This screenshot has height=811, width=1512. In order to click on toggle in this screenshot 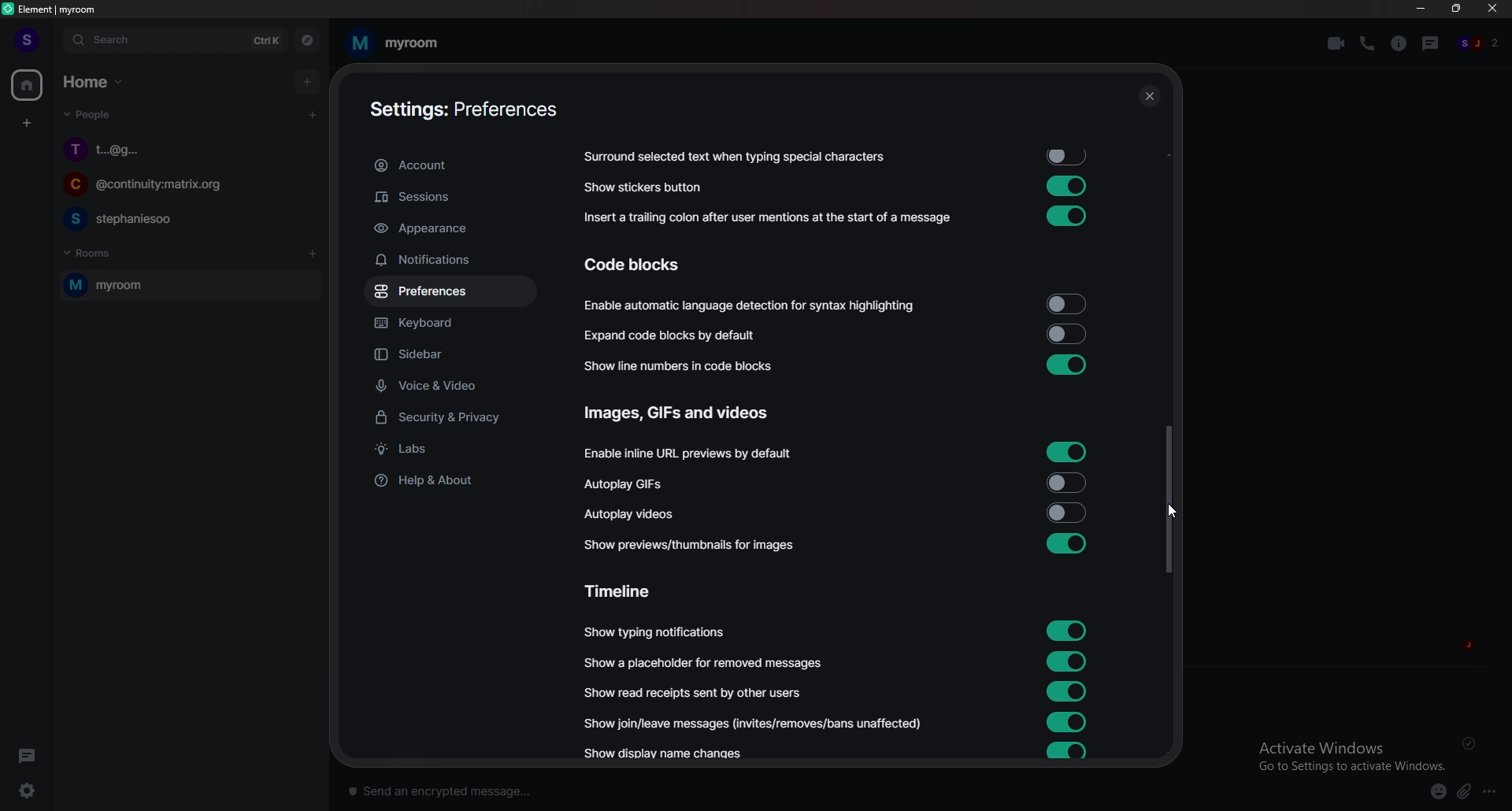, I will do `click(1068, 512)`.